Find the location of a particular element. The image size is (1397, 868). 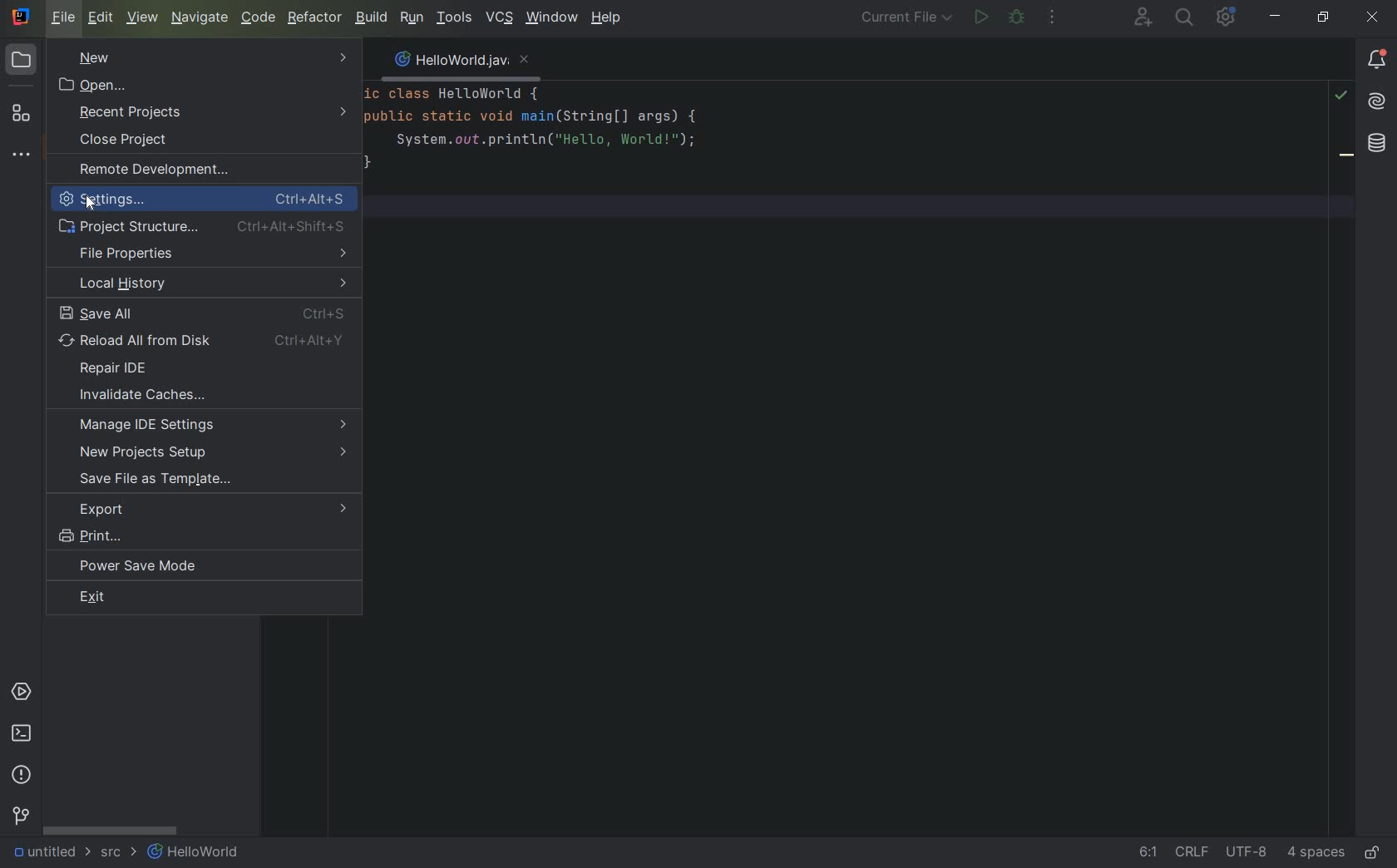

open is located at coordinates (97, 87).